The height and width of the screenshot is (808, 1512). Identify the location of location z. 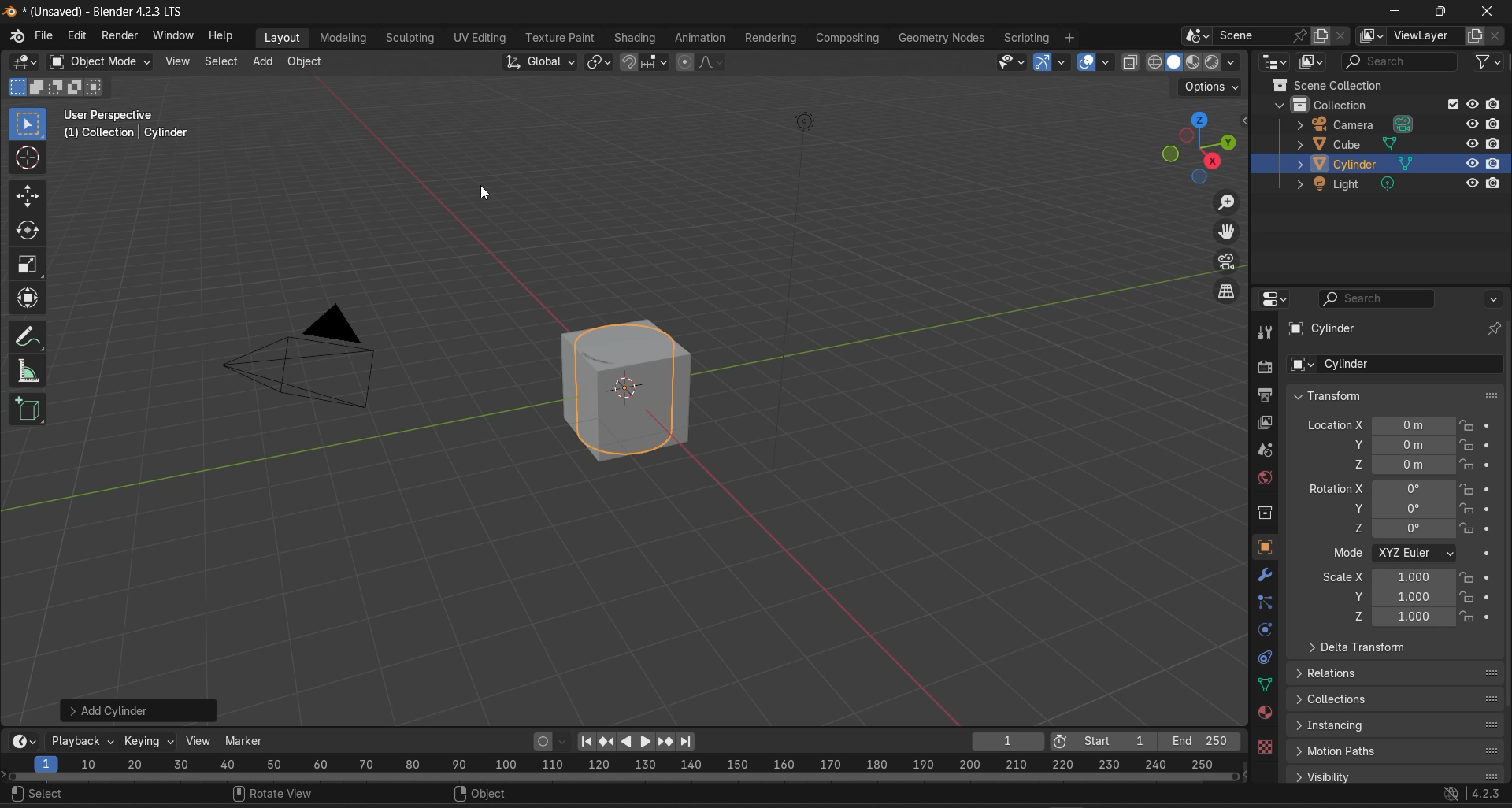
(1401, 465).